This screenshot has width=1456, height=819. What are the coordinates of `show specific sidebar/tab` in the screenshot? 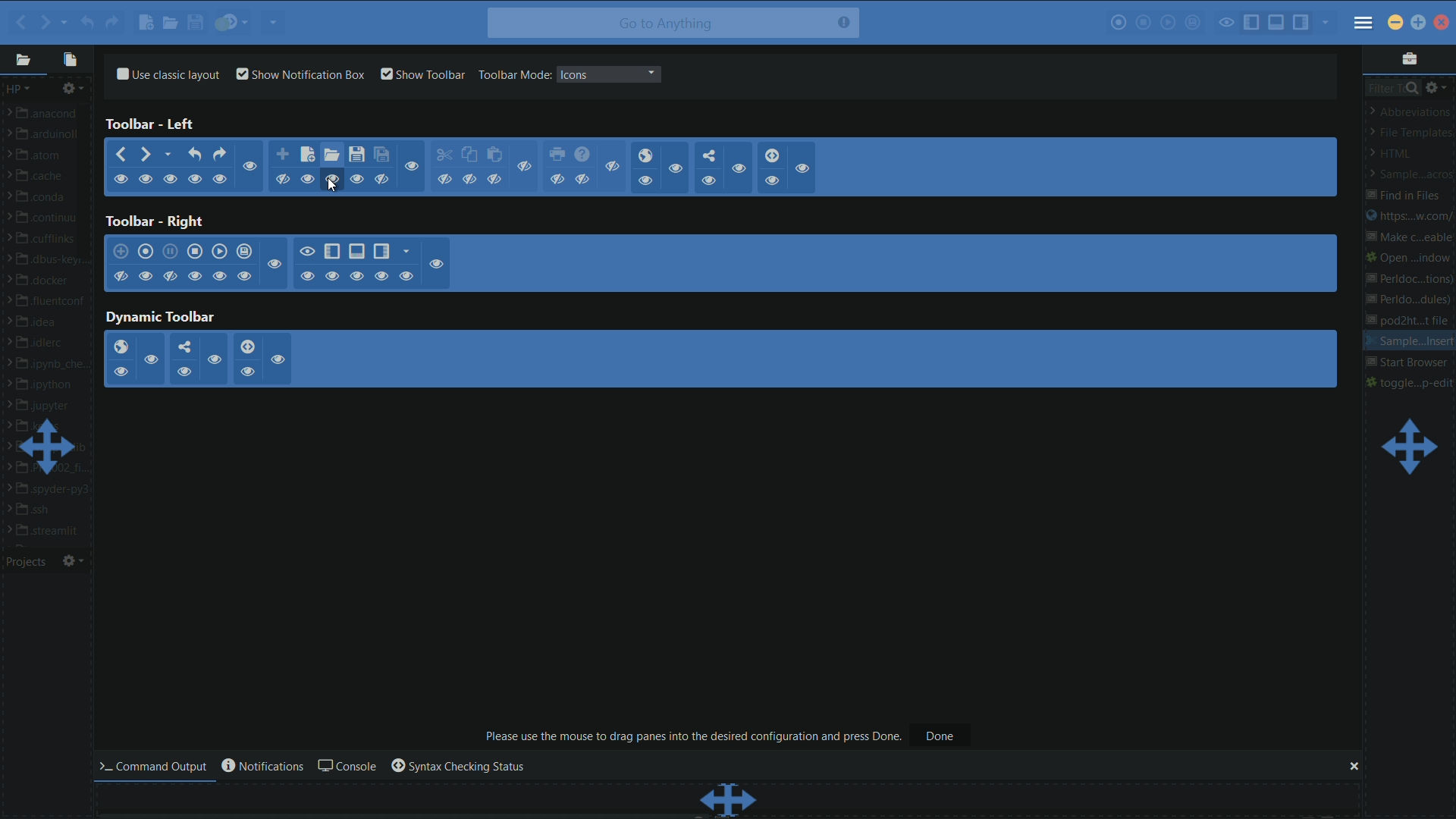 It's located at (407, 252).